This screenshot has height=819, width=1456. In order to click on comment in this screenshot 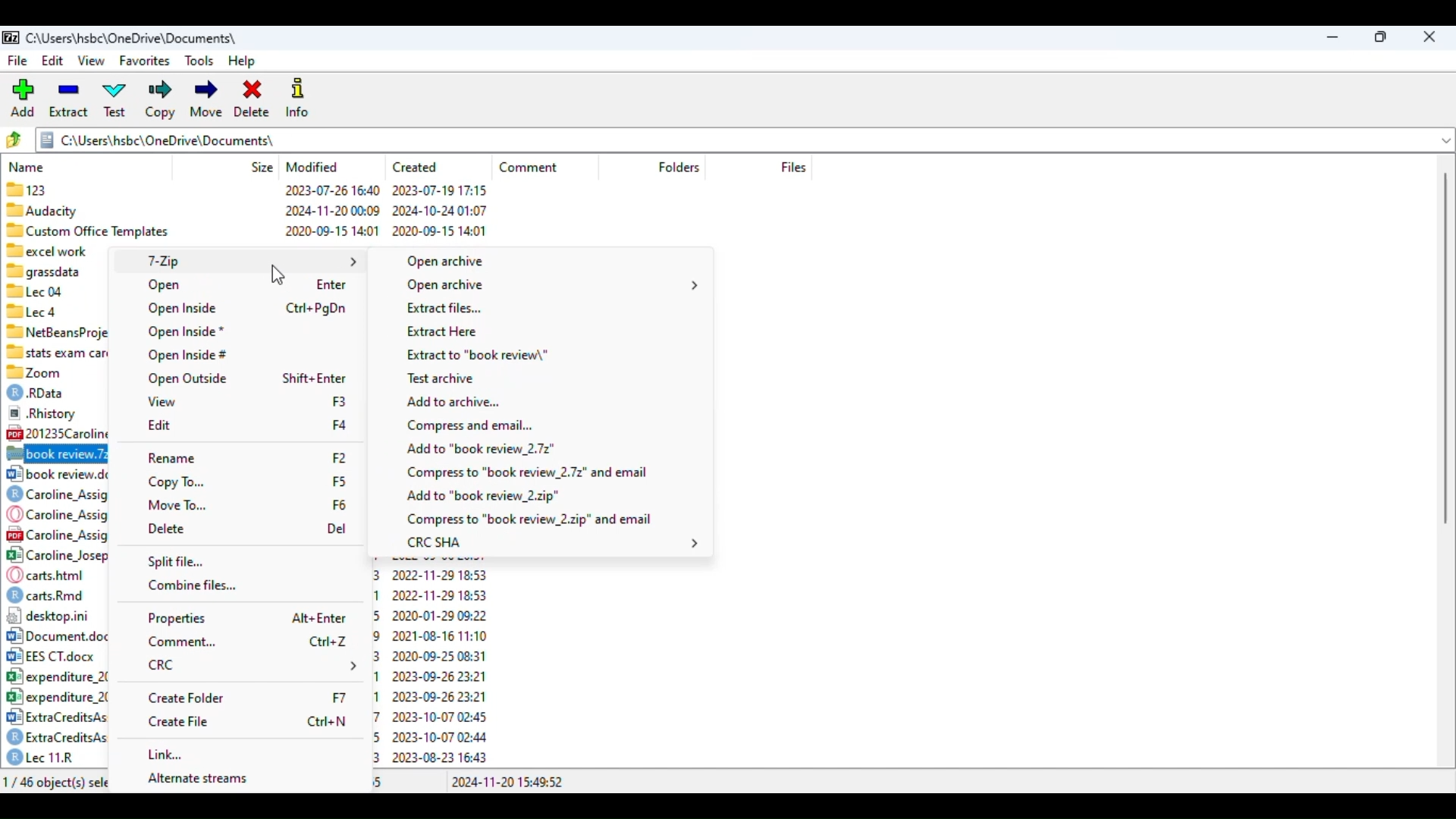, I will do `click(529, 168)`.